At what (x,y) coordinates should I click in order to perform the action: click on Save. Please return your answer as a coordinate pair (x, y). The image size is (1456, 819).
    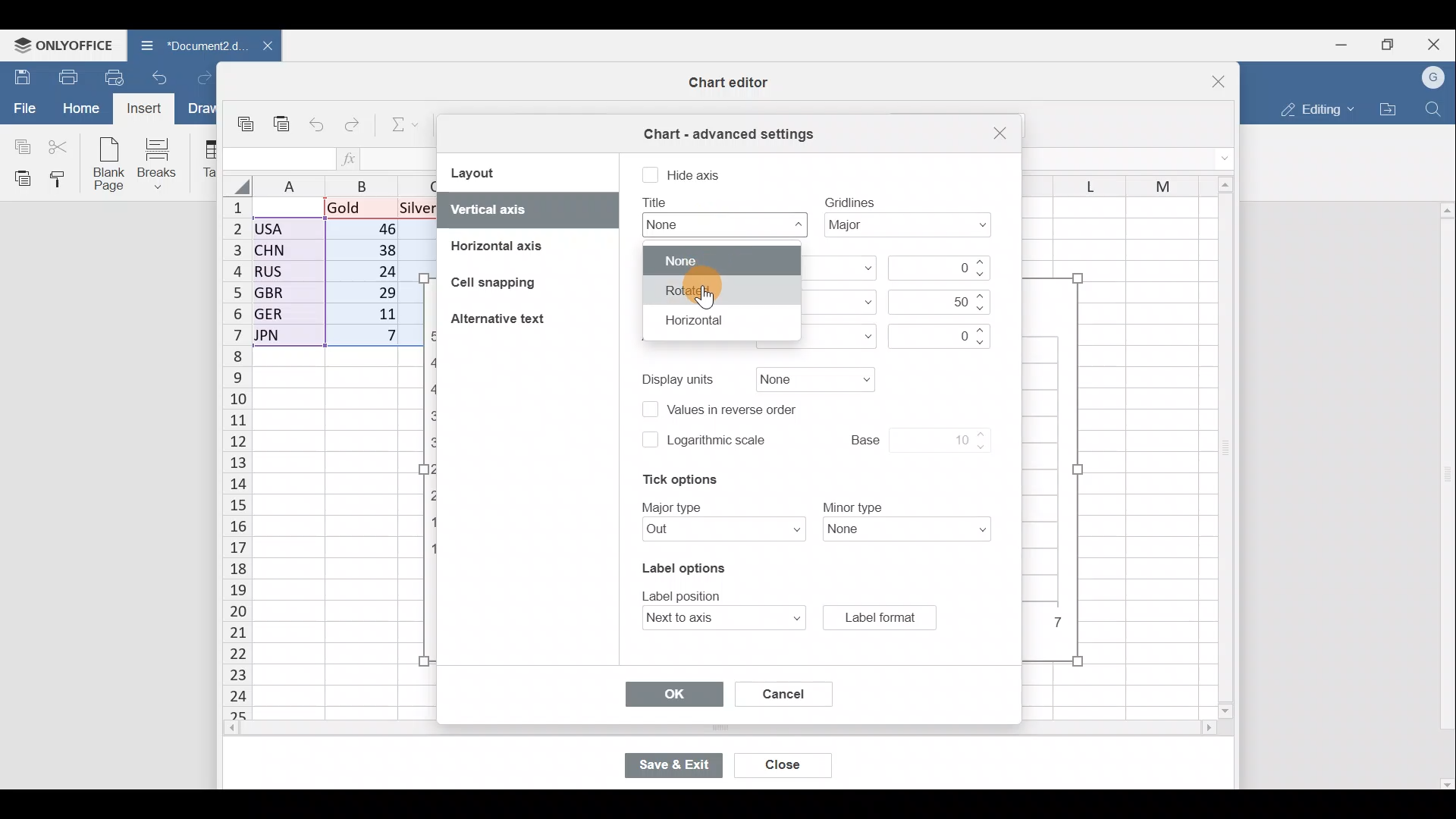
    Looking at the image, I should click on (19, 75).